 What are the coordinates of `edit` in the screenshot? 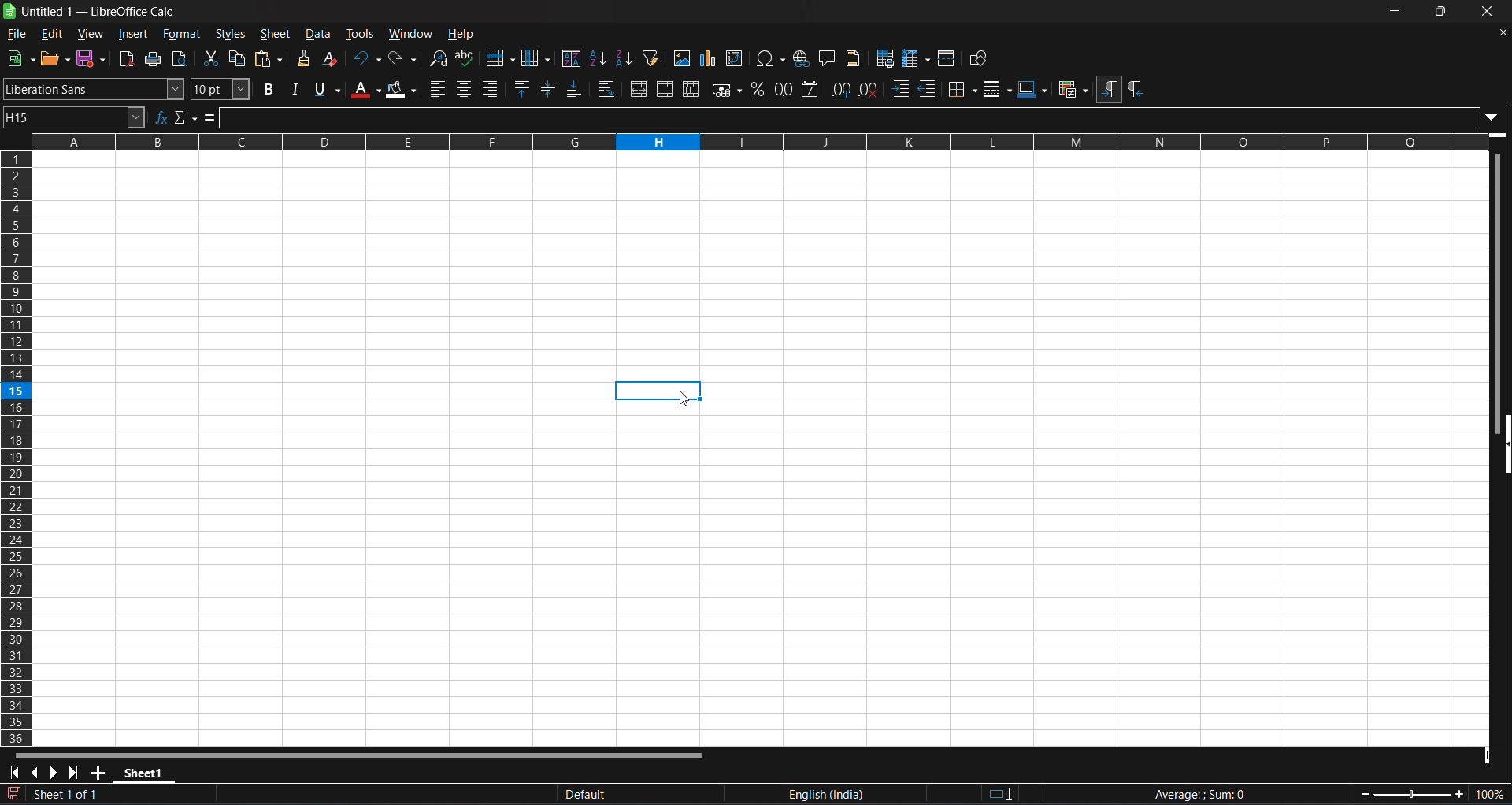 It's located at (51, 34).